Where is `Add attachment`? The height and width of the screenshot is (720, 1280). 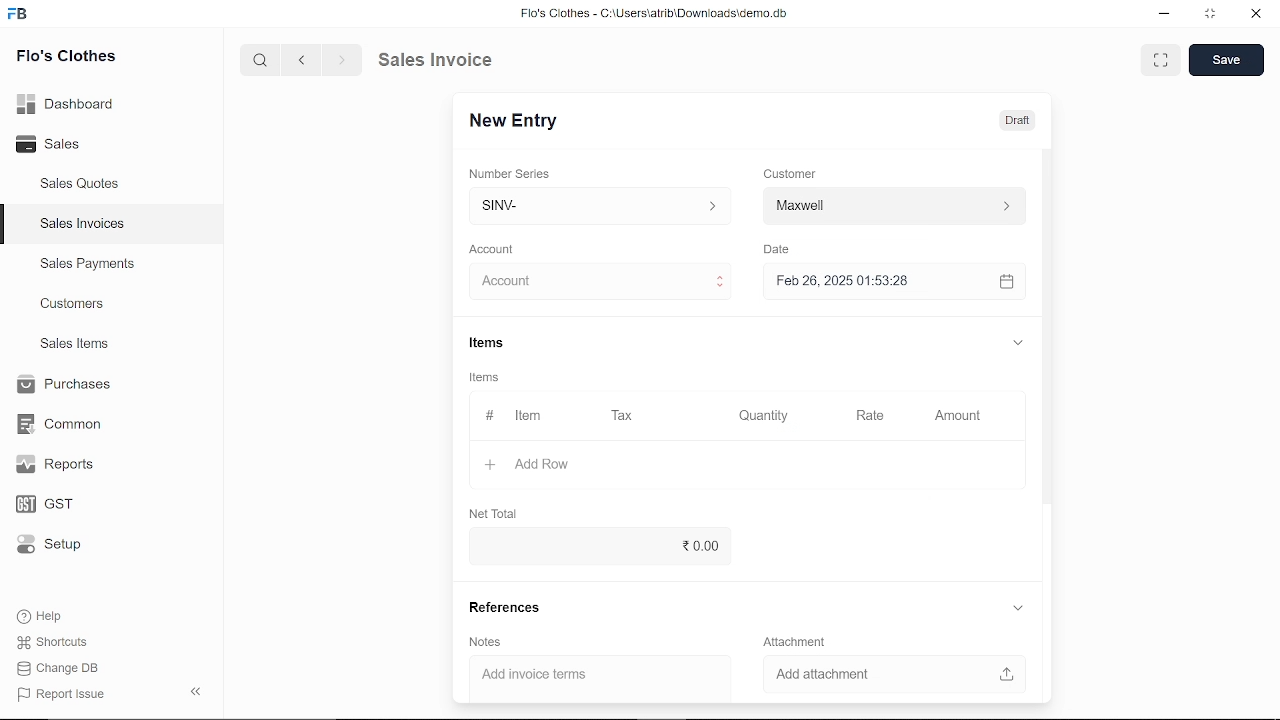 Add attachment is located at coordinates (896, 676).